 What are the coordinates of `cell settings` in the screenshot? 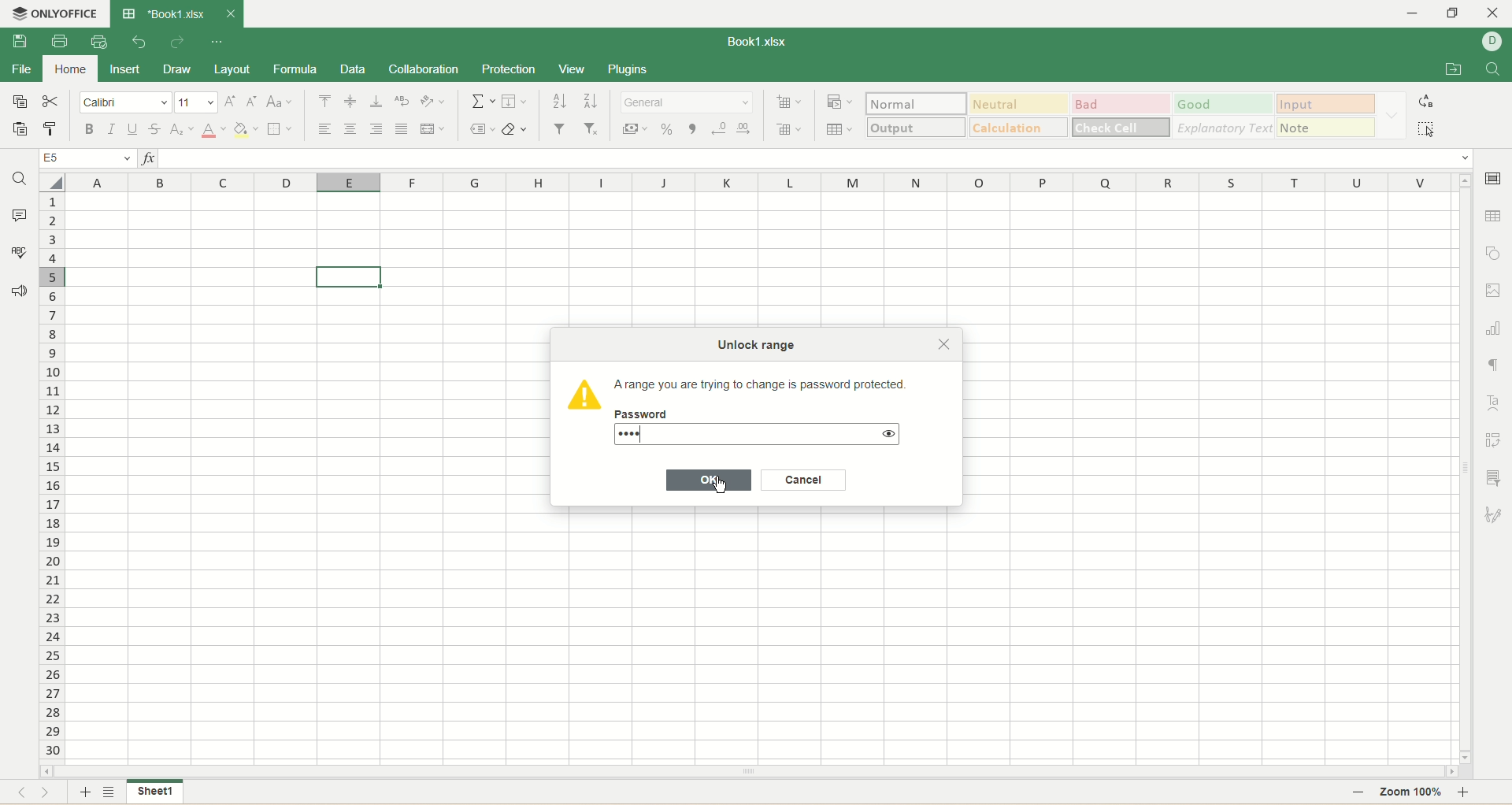 It's located at (1496, 180).